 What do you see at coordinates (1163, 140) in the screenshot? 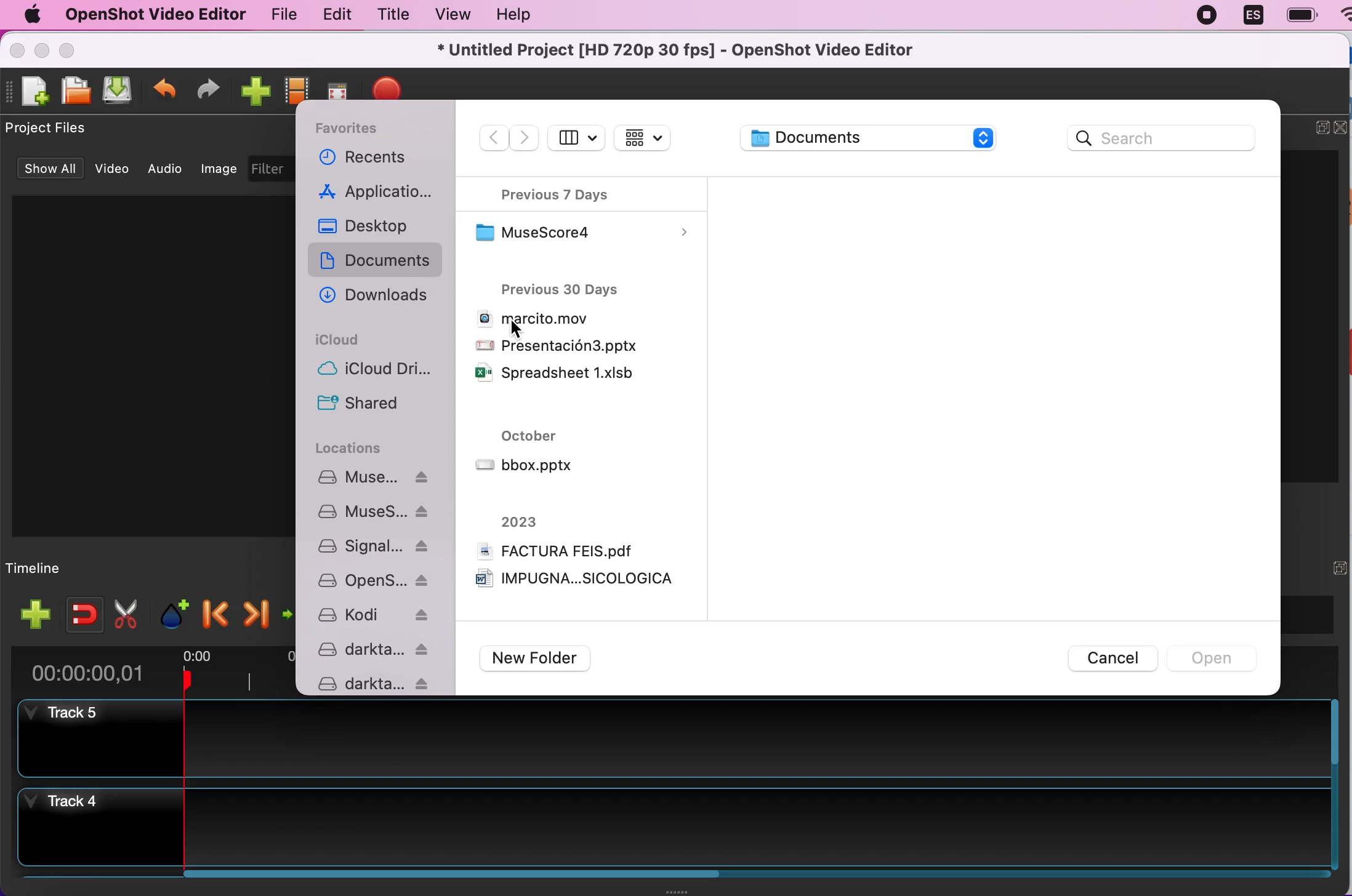
I see `search` at bounding box center [1163, 140].